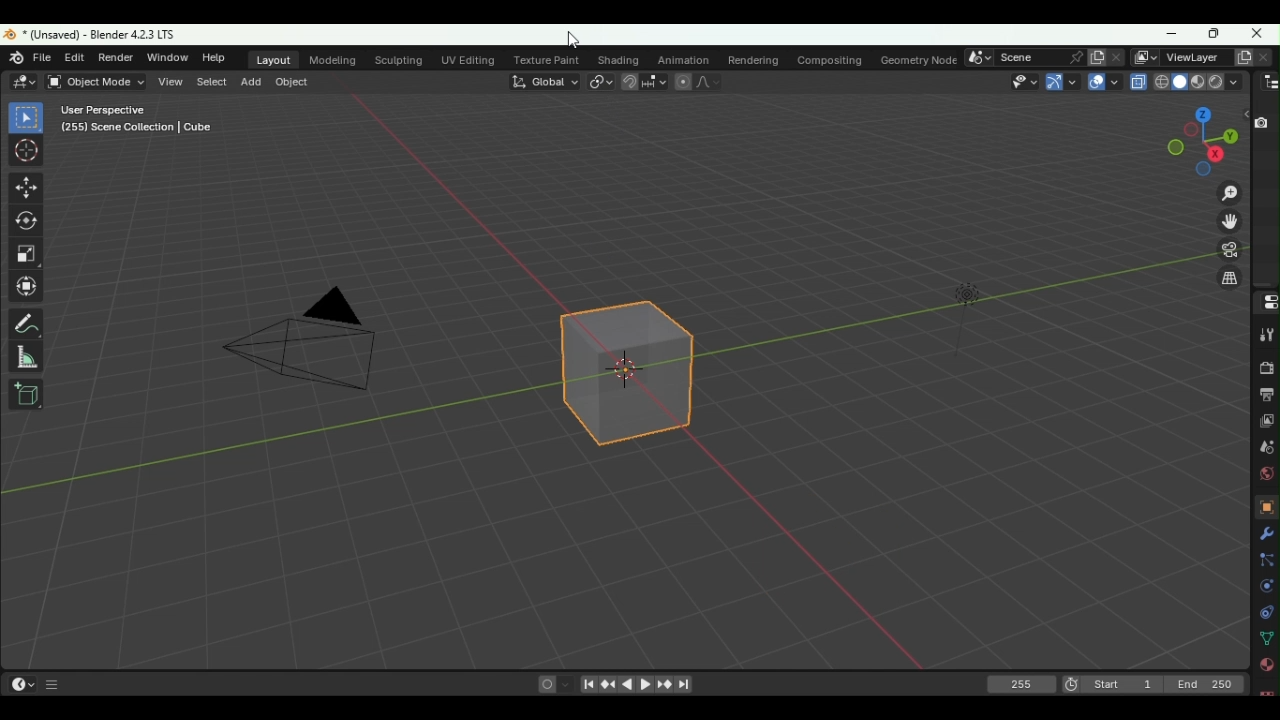 This screenshot has width=1280, height=720. Describe the element at coordinates (1178, 82) in the screenshot. I see `Viewport shading: Solid` at that location.